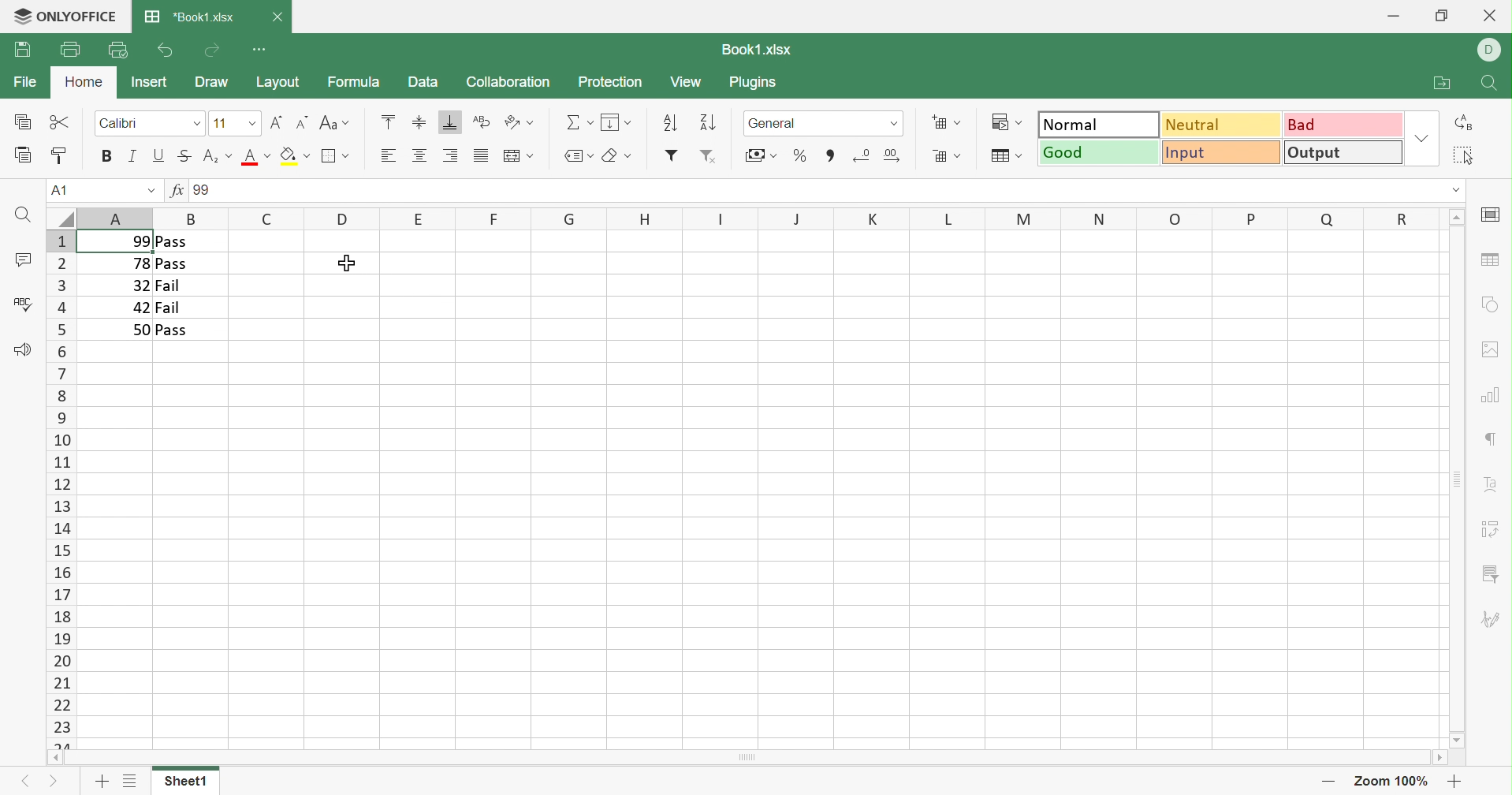  I want to click on Next, so click(24, 782).